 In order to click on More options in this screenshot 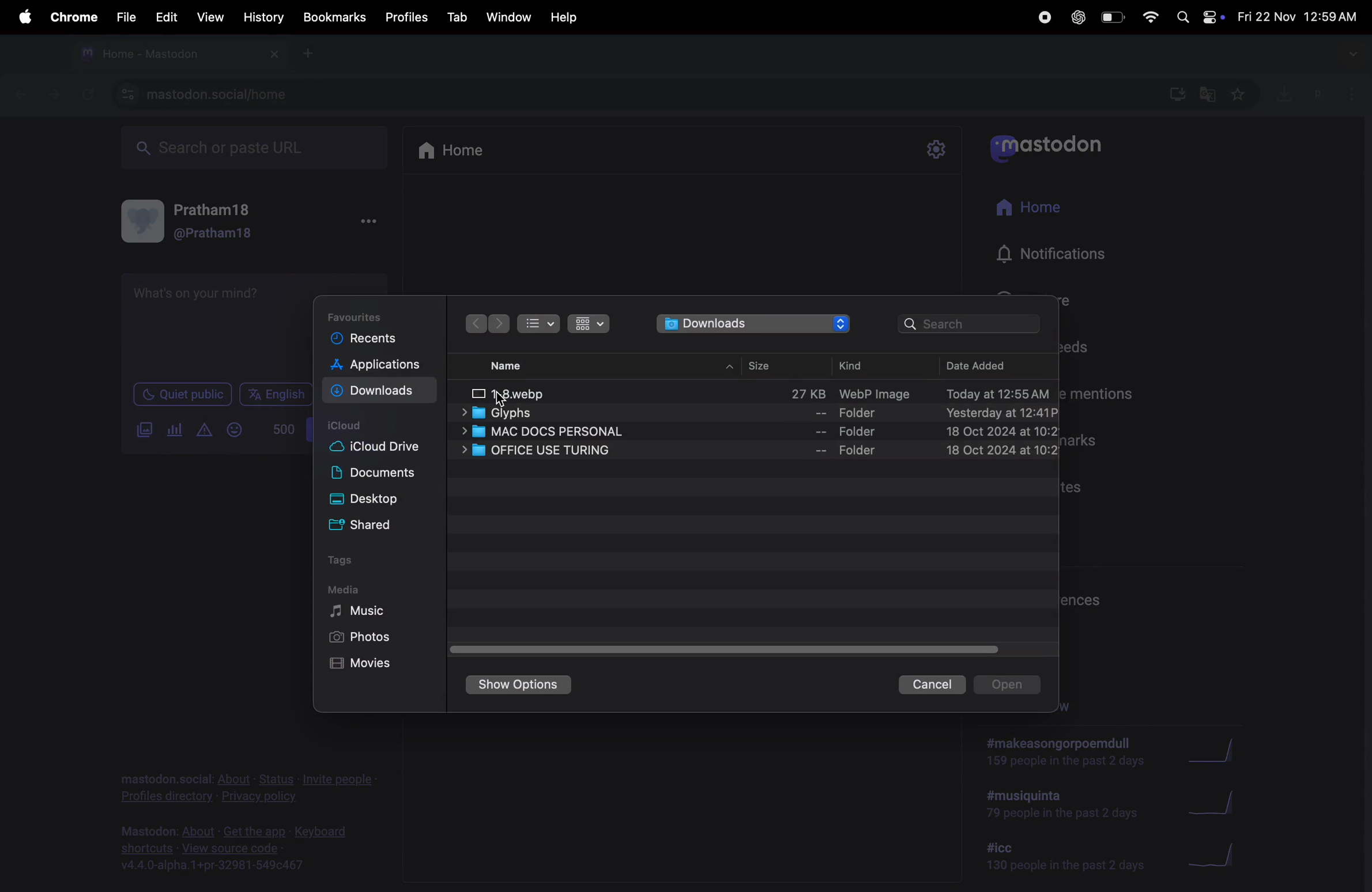, I will do `click(369, 220)`.